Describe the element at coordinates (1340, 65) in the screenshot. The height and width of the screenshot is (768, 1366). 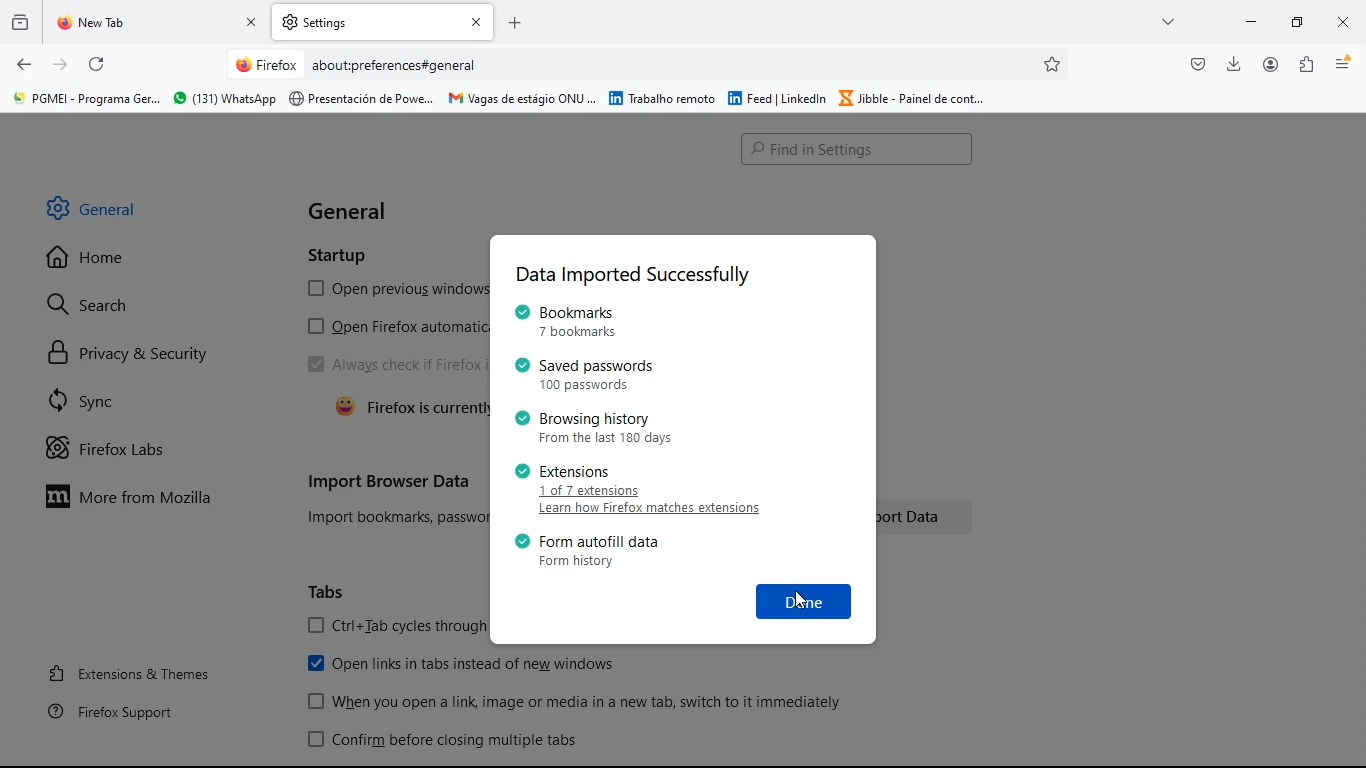
I see `menu` at that location.